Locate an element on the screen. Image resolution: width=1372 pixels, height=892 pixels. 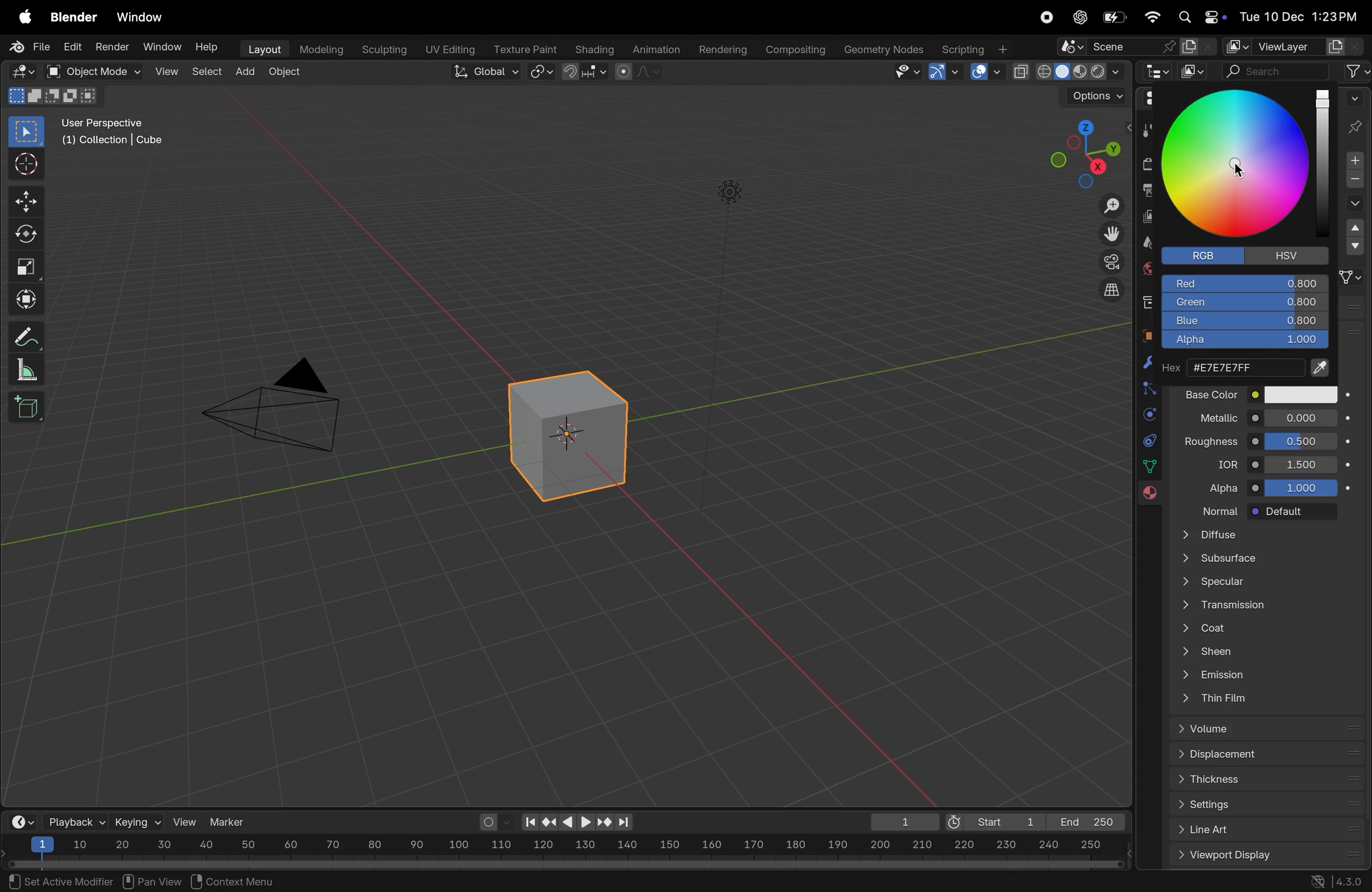
proportional editing objects is located at coordinates (640, 73).